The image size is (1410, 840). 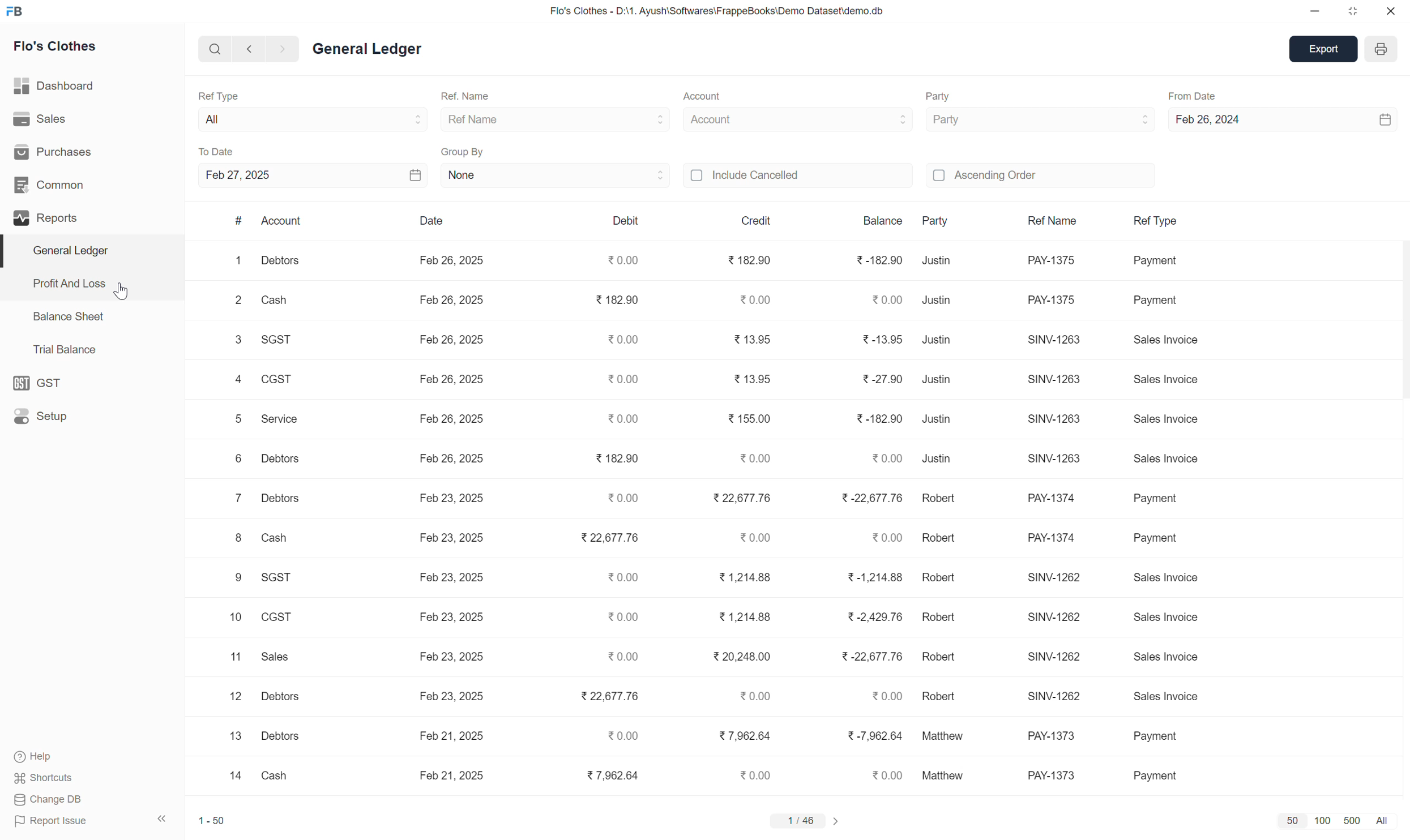 What do you see at coordinates (866, 658) in the screenshot?
I see `₹-22,677.76` at bounding box center [866, 658].